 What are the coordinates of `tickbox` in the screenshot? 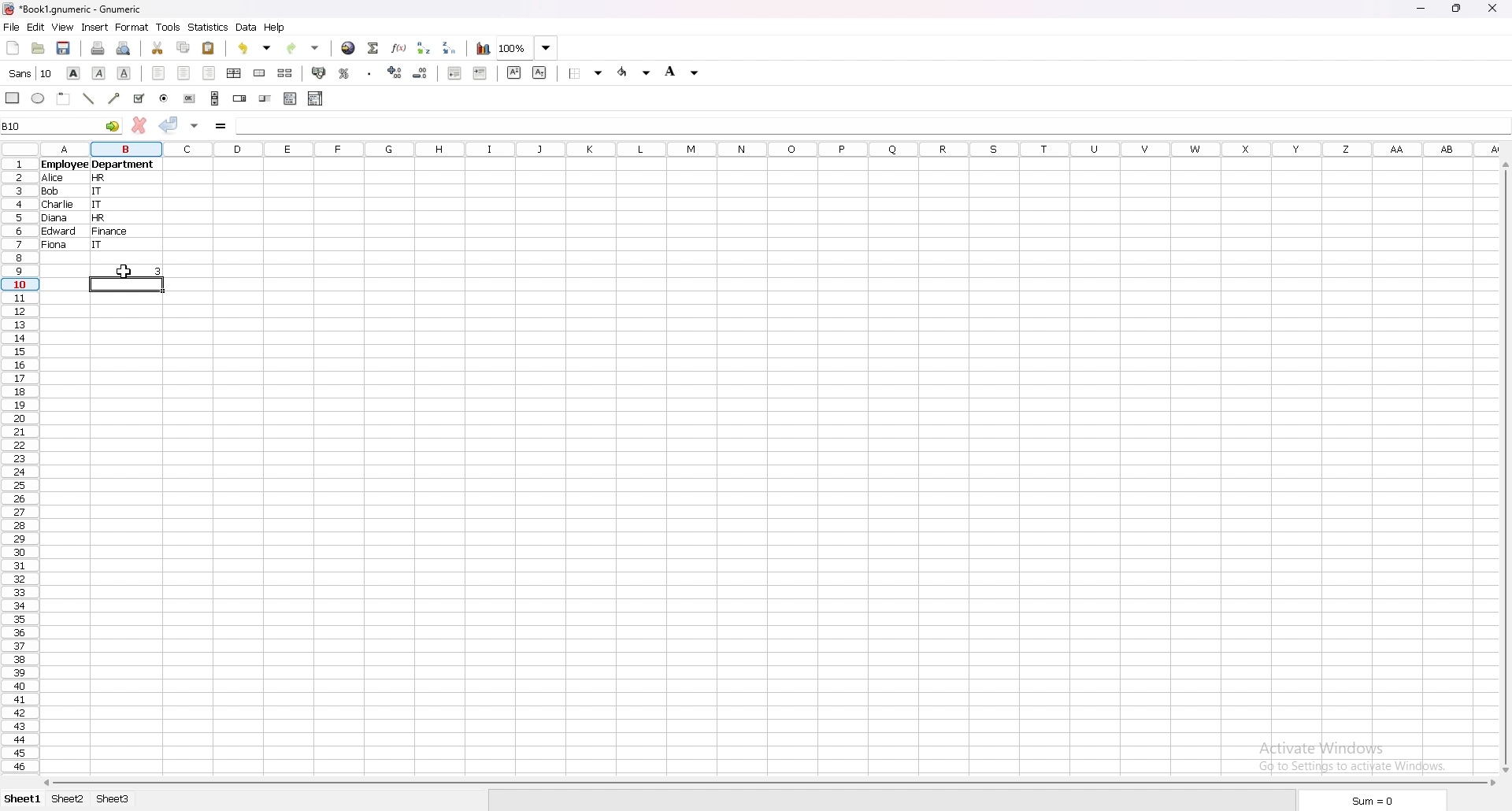 It's located at (138, 99).